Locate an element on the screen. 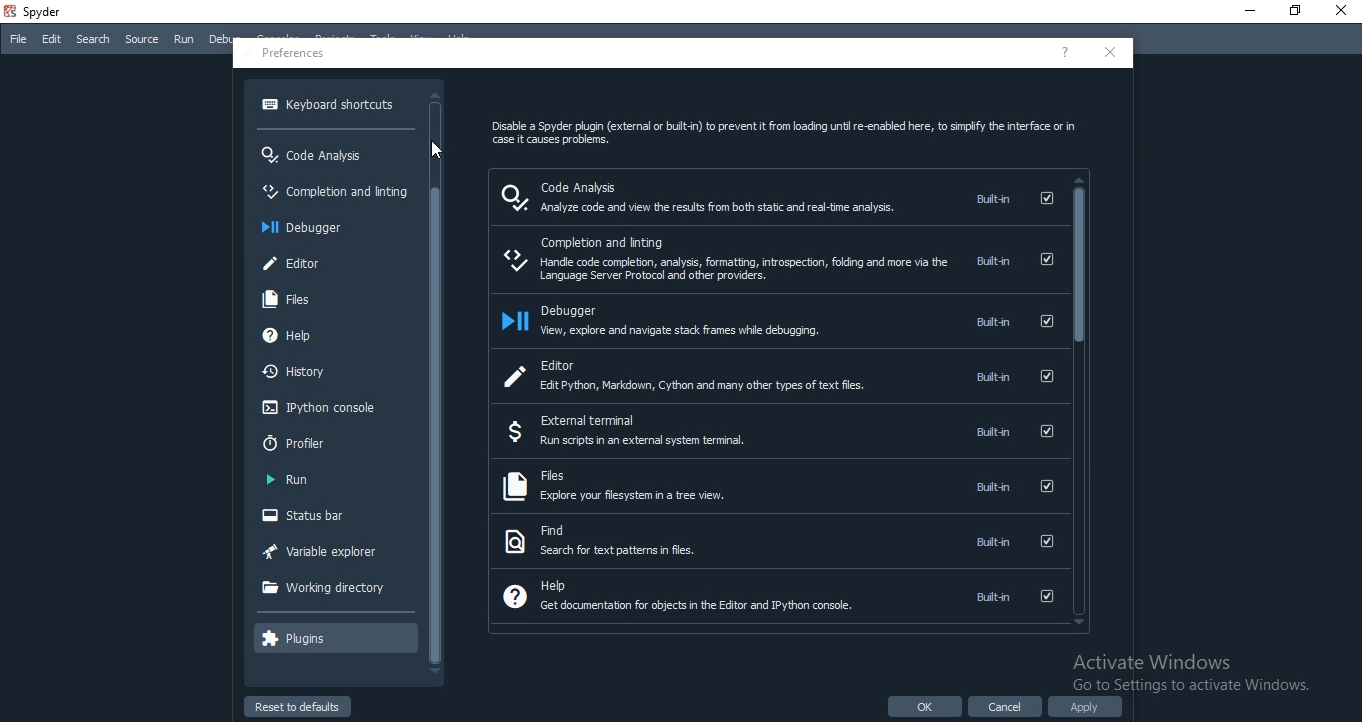  find is located at coordinates (777, 541).